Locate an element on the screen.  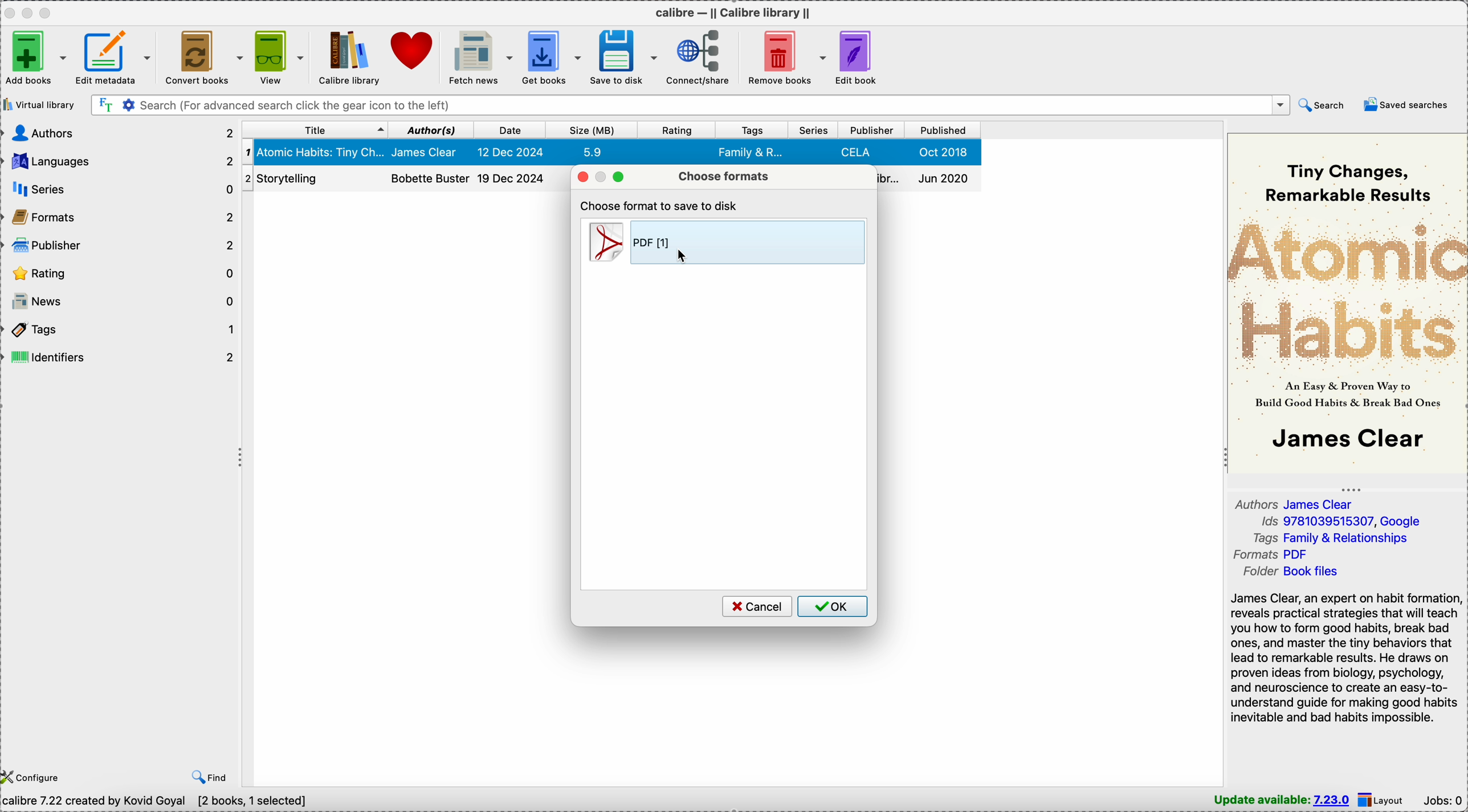
languages is located at coordinates (119, 162).